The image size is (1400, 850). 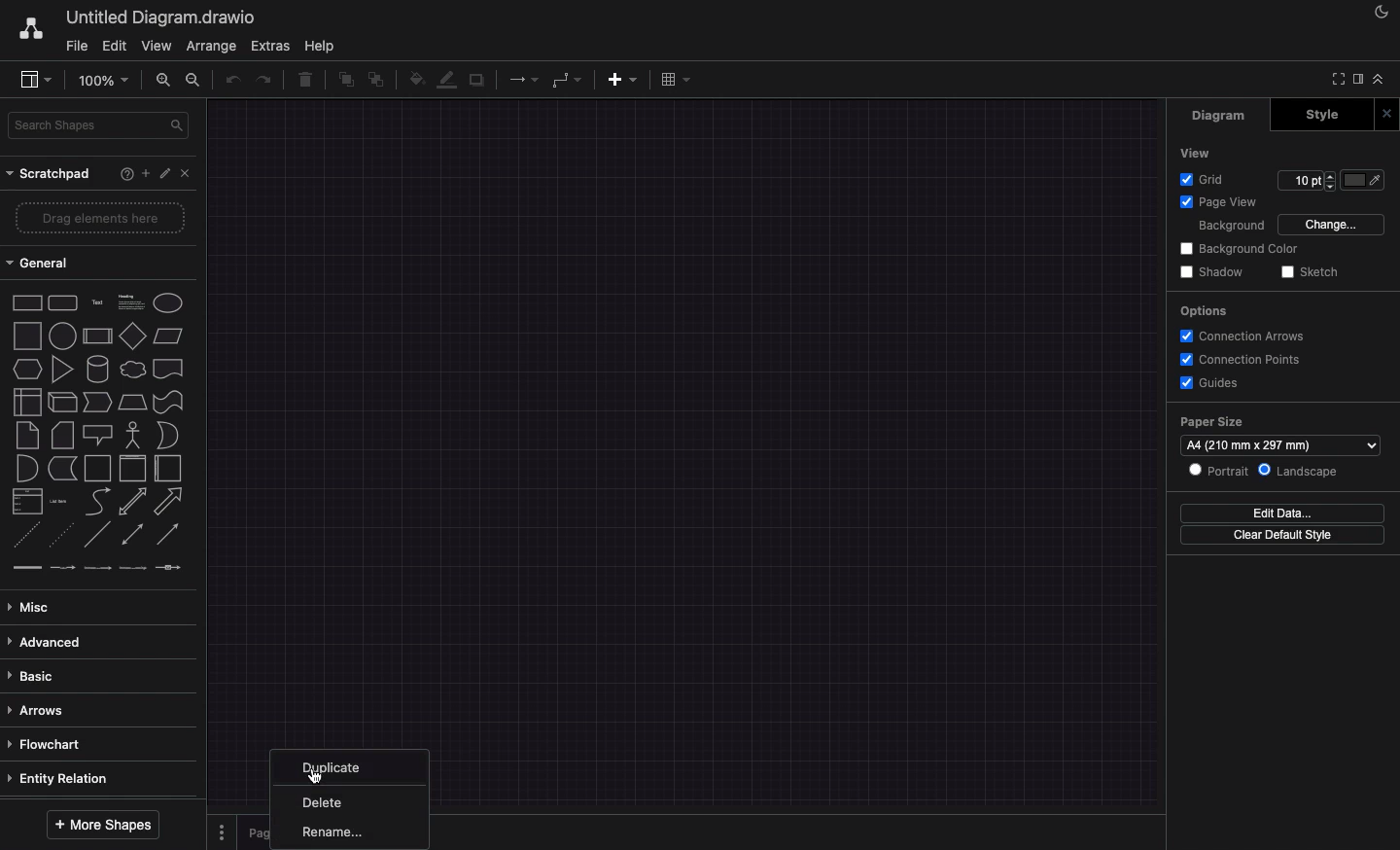 I want to click on advanced, so click(x=50, y=643).